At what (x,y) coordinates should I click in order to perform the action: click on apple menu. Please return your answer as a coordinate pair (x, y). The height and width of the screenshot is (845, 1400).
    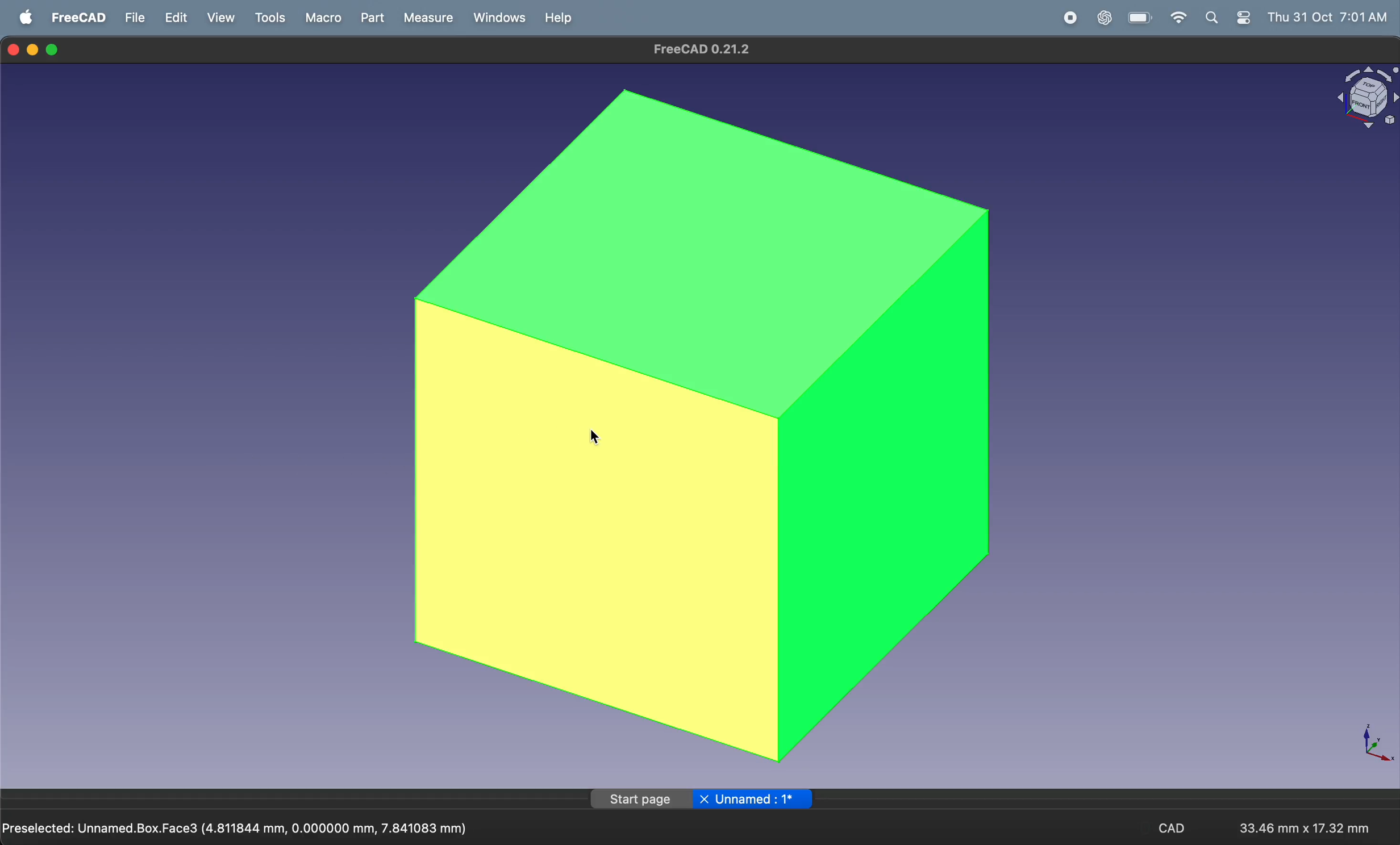
    Looking at the image, I should click on (26, 18).